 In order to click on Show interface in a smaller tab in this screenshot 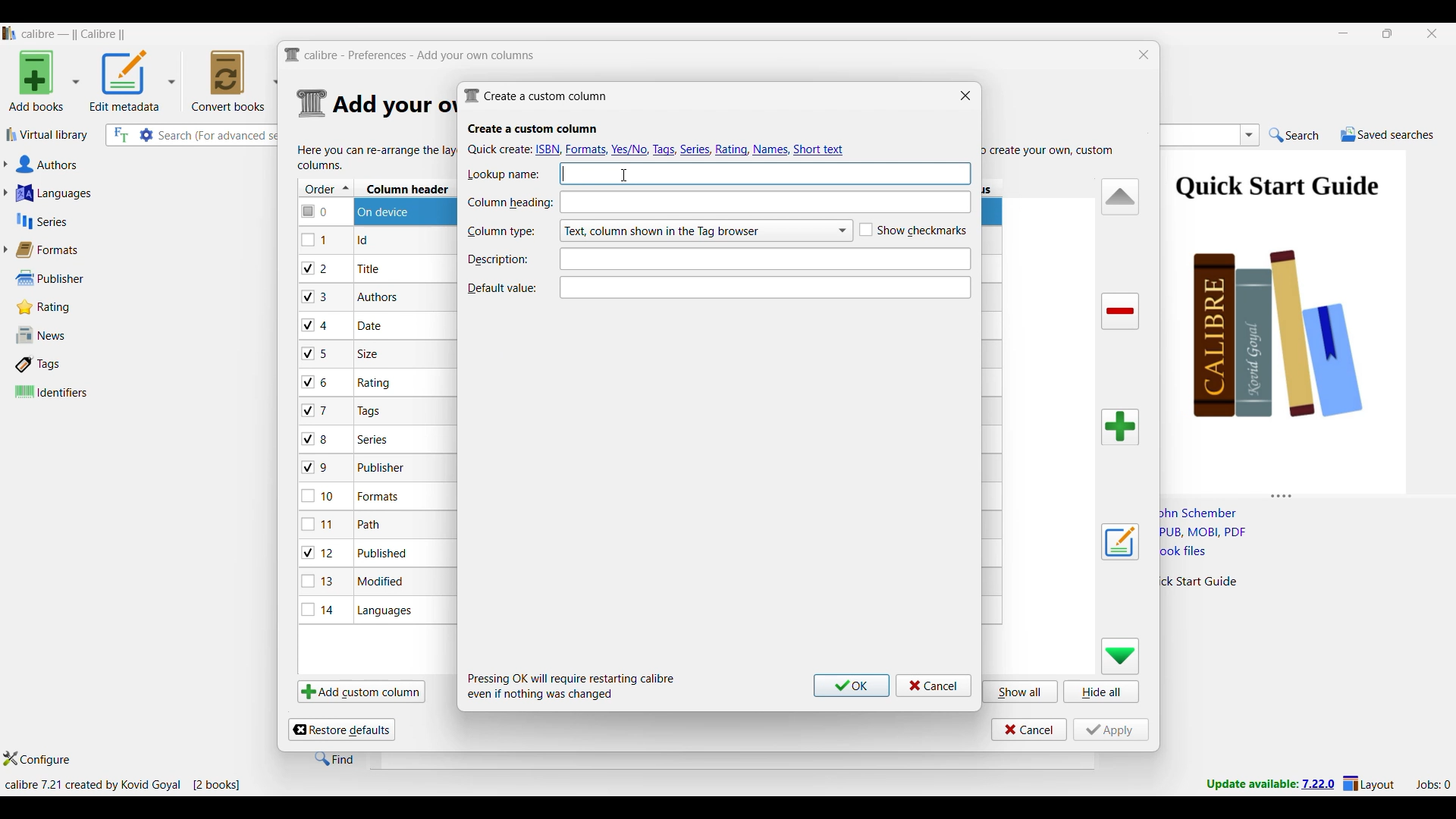, I will do `click(1389, 33)`.